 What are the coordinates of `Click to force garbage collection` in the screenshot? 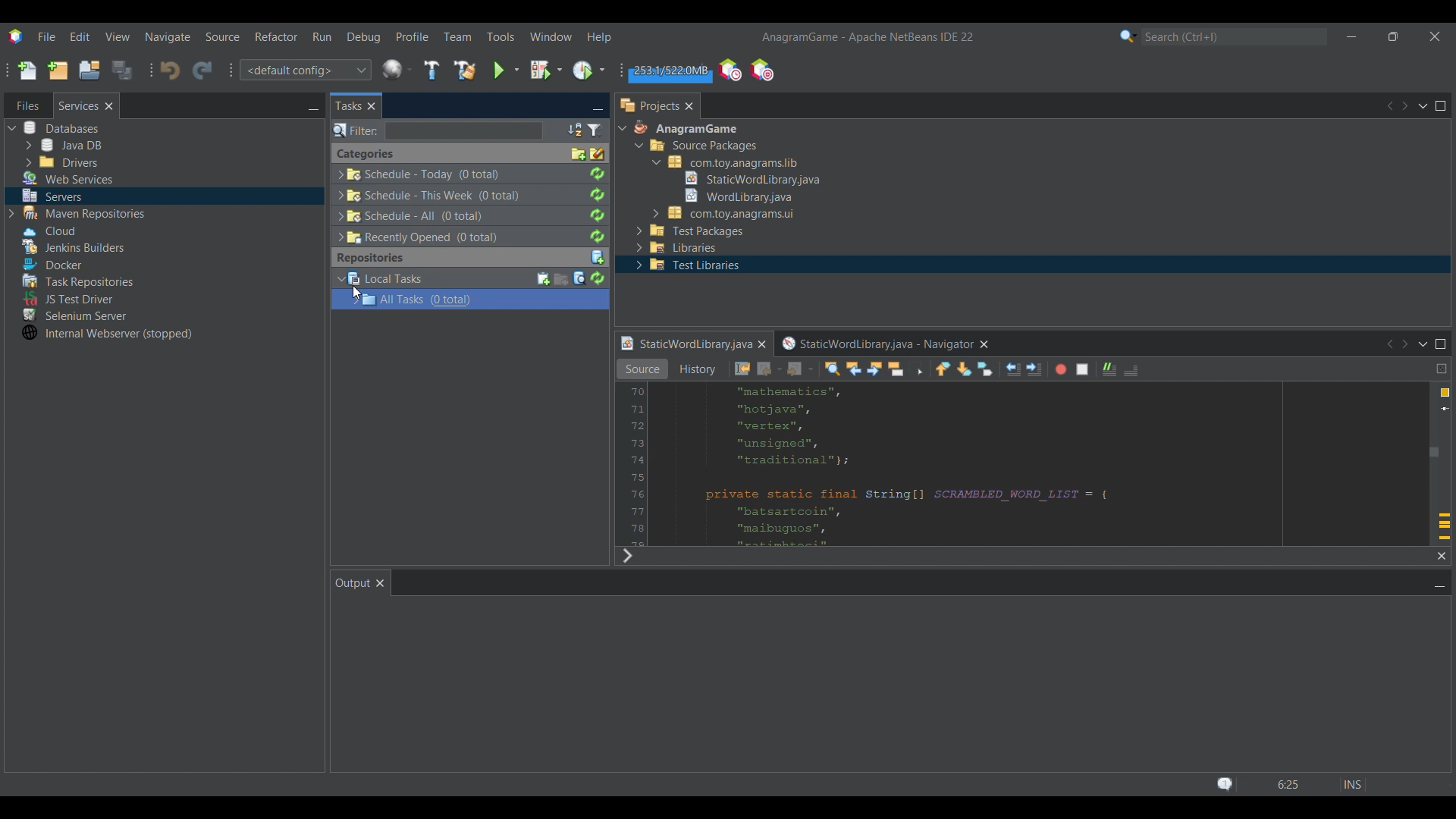 It's located at (670, 71).